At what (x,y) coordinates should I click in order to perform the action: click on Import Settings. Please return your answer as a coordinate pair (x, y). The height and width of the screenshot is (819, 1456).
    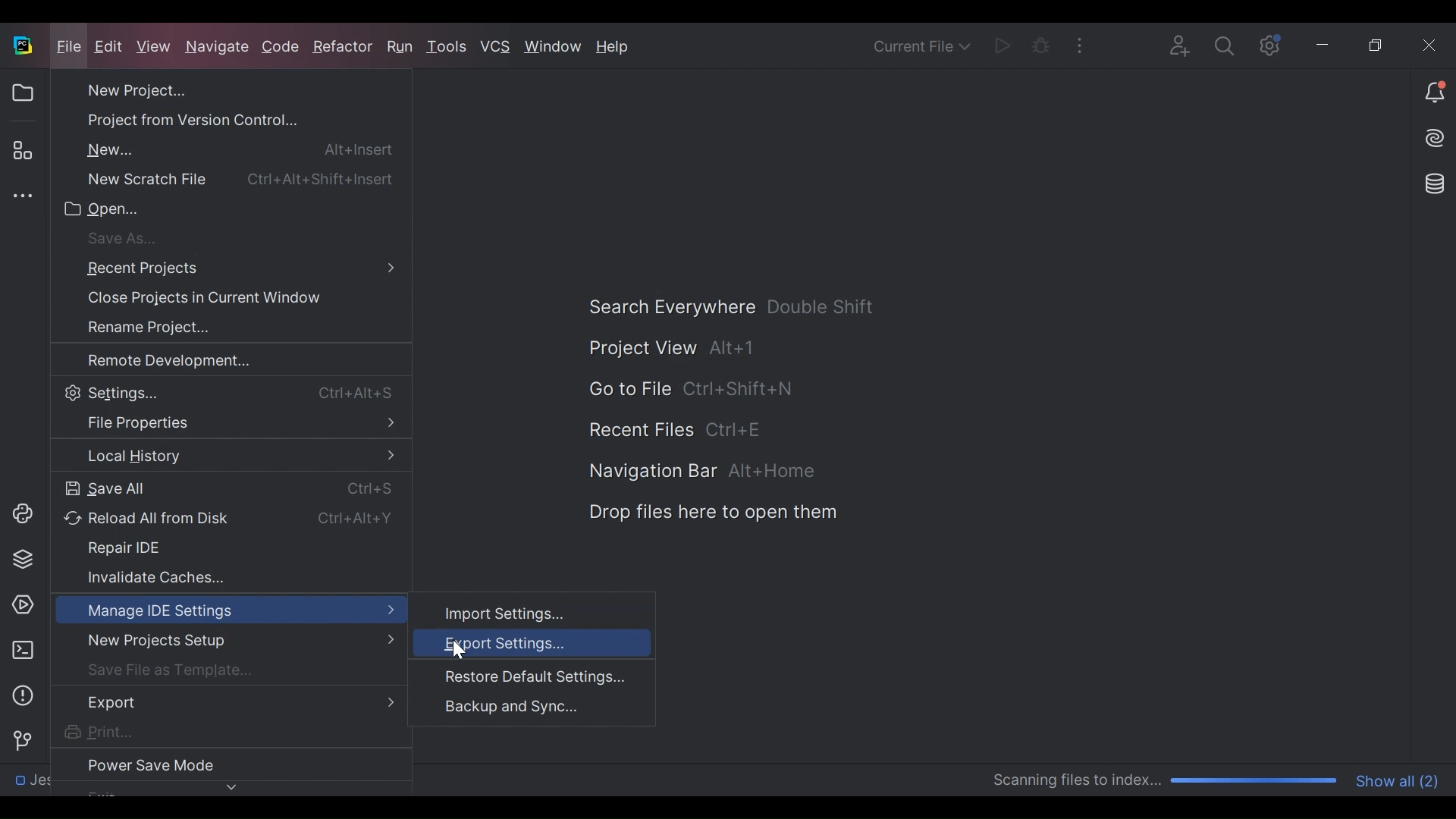
    Looking at the image, I should click on (540, 612).